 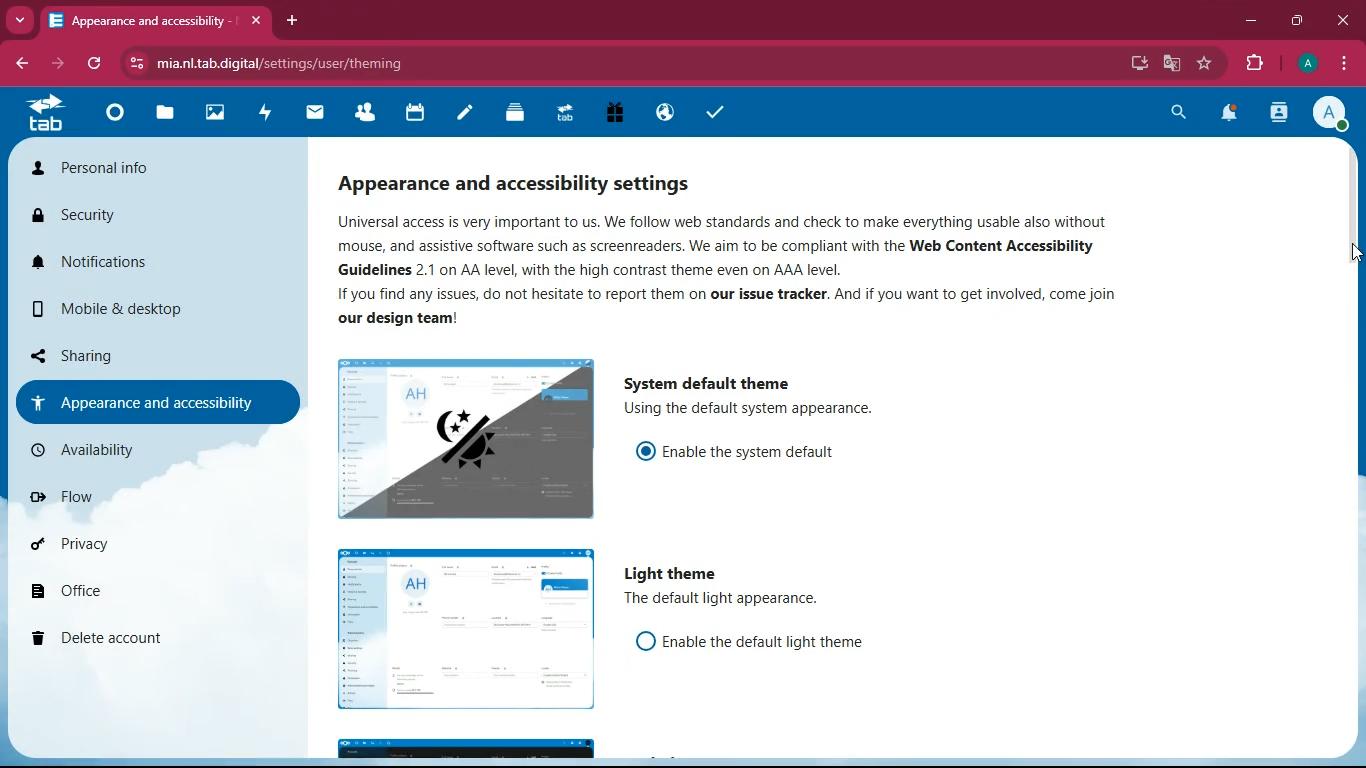 I want to click on close, so click(x=1341, y=22).